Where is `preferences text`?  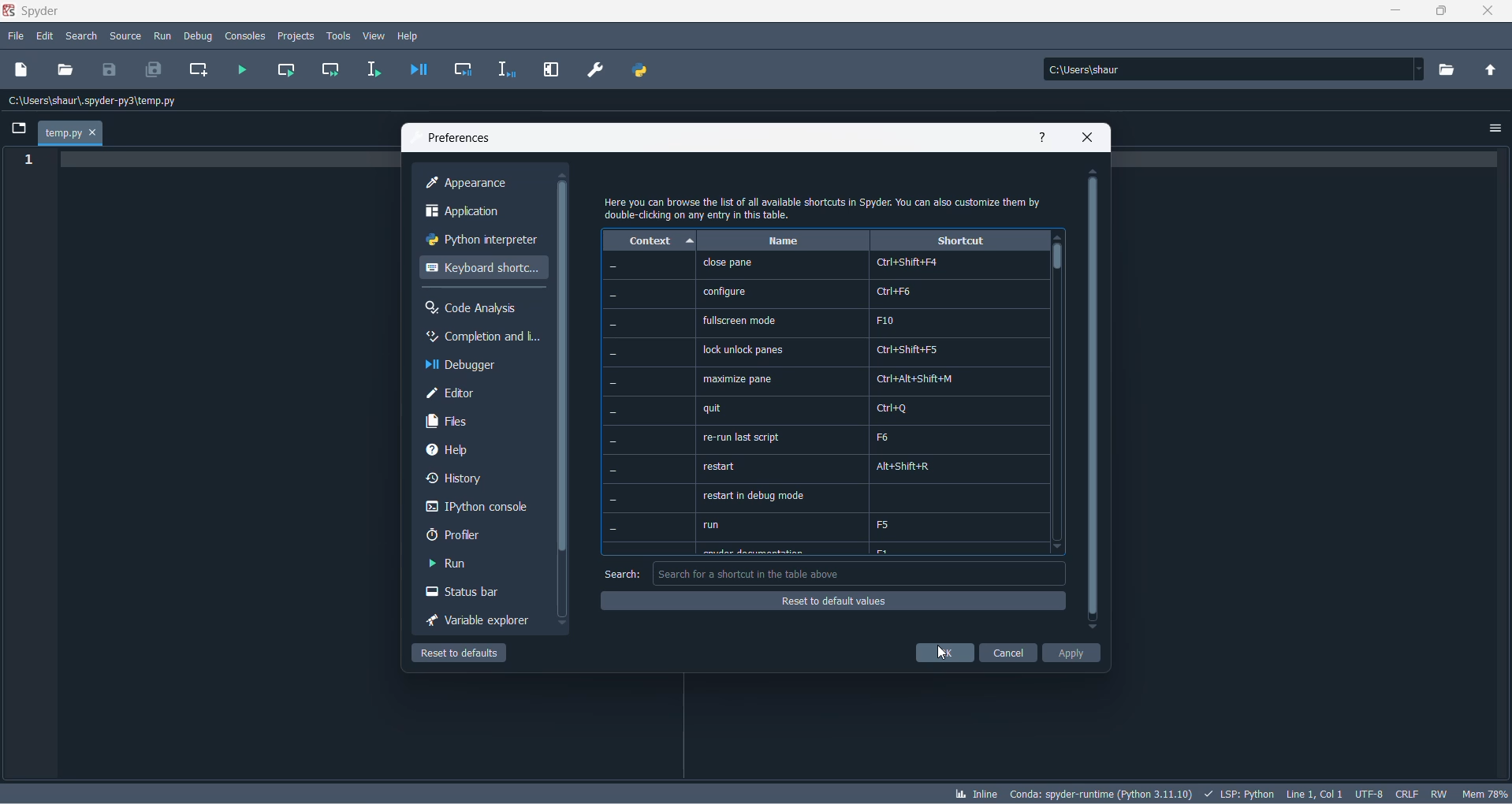 preferences text is located at coordinates (458, 139).